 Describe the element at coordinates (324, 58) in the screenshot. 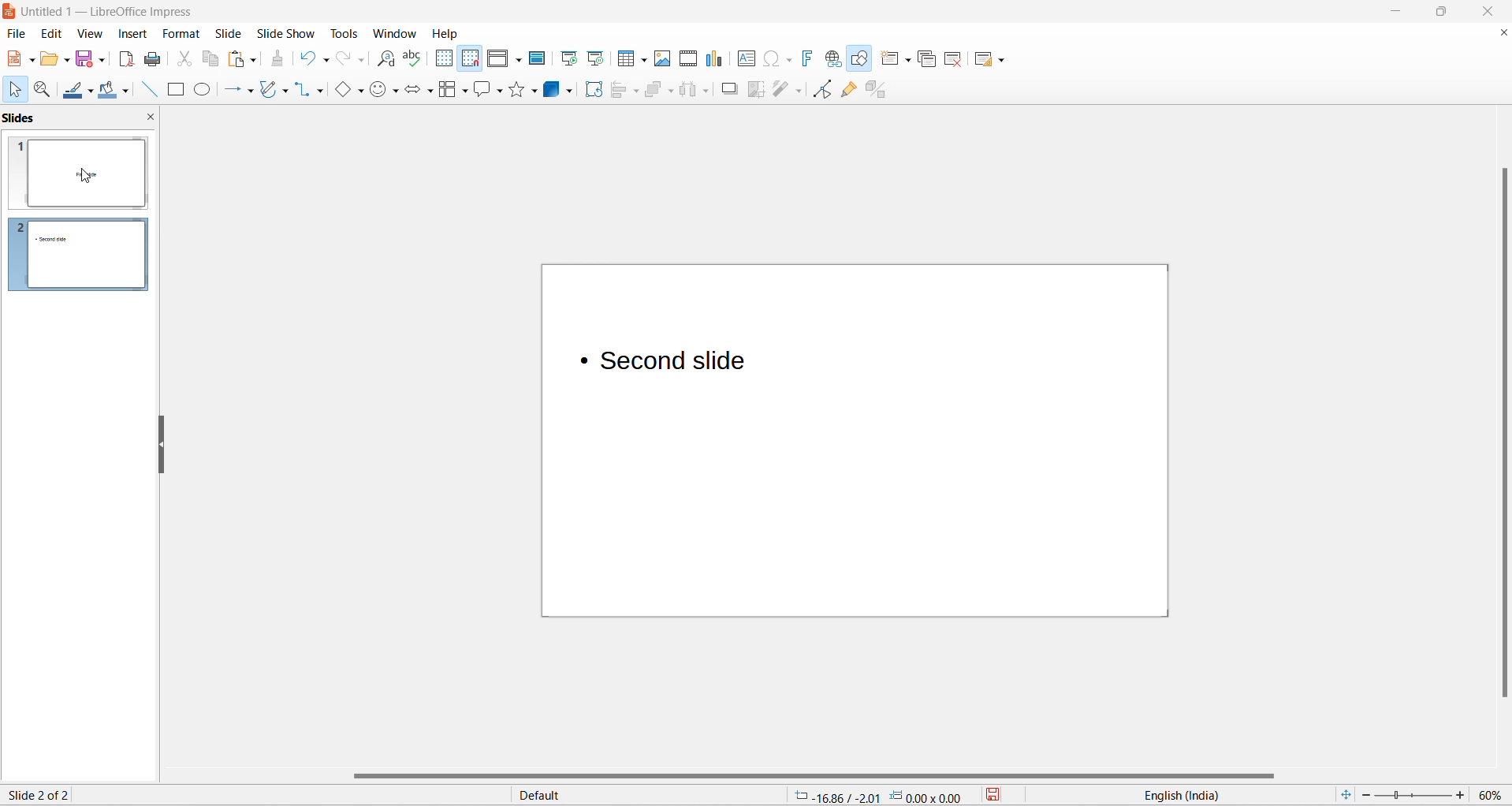

I see `undo options` at that location.